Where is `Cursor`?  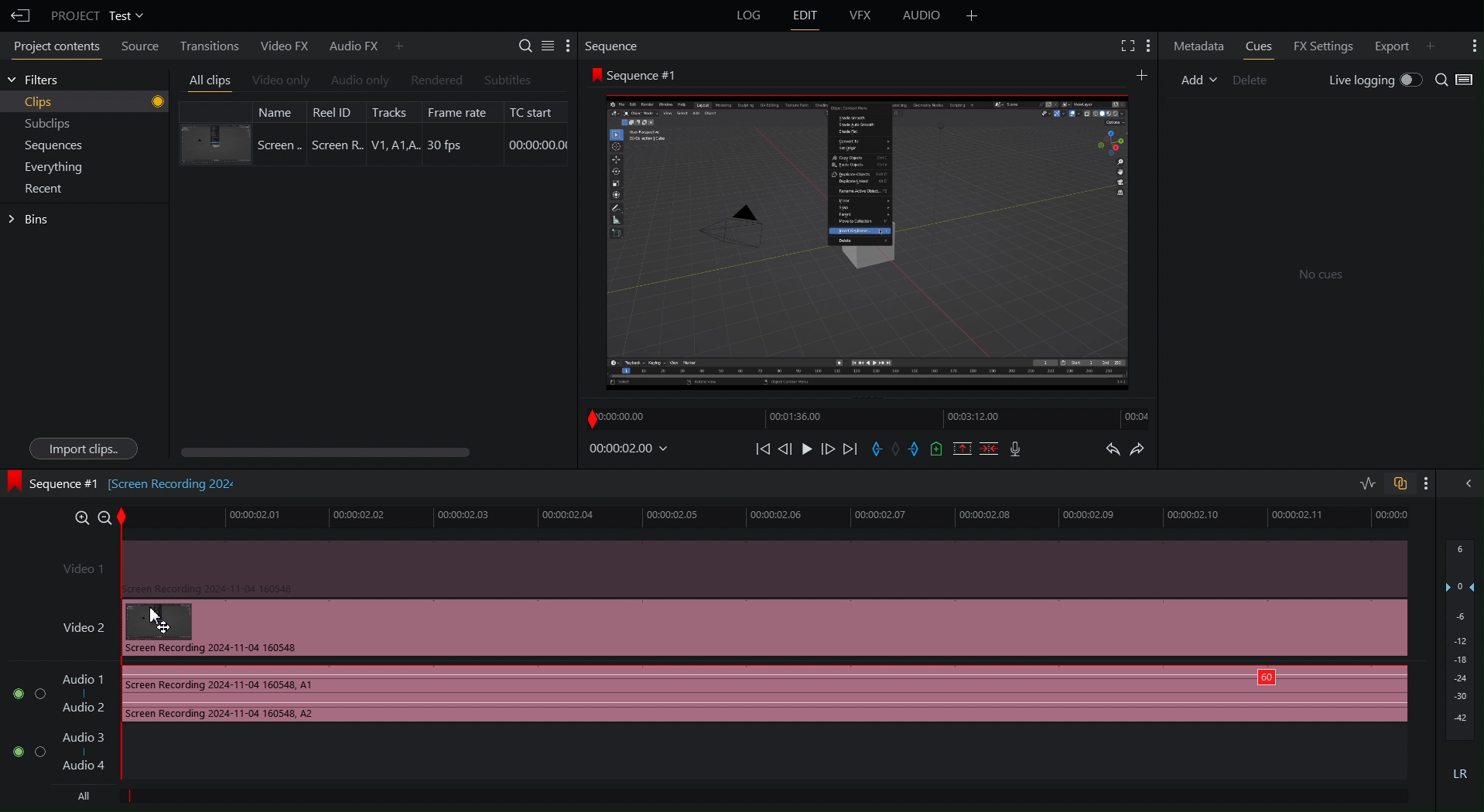 Cursor is located at coordinates (161, 620).